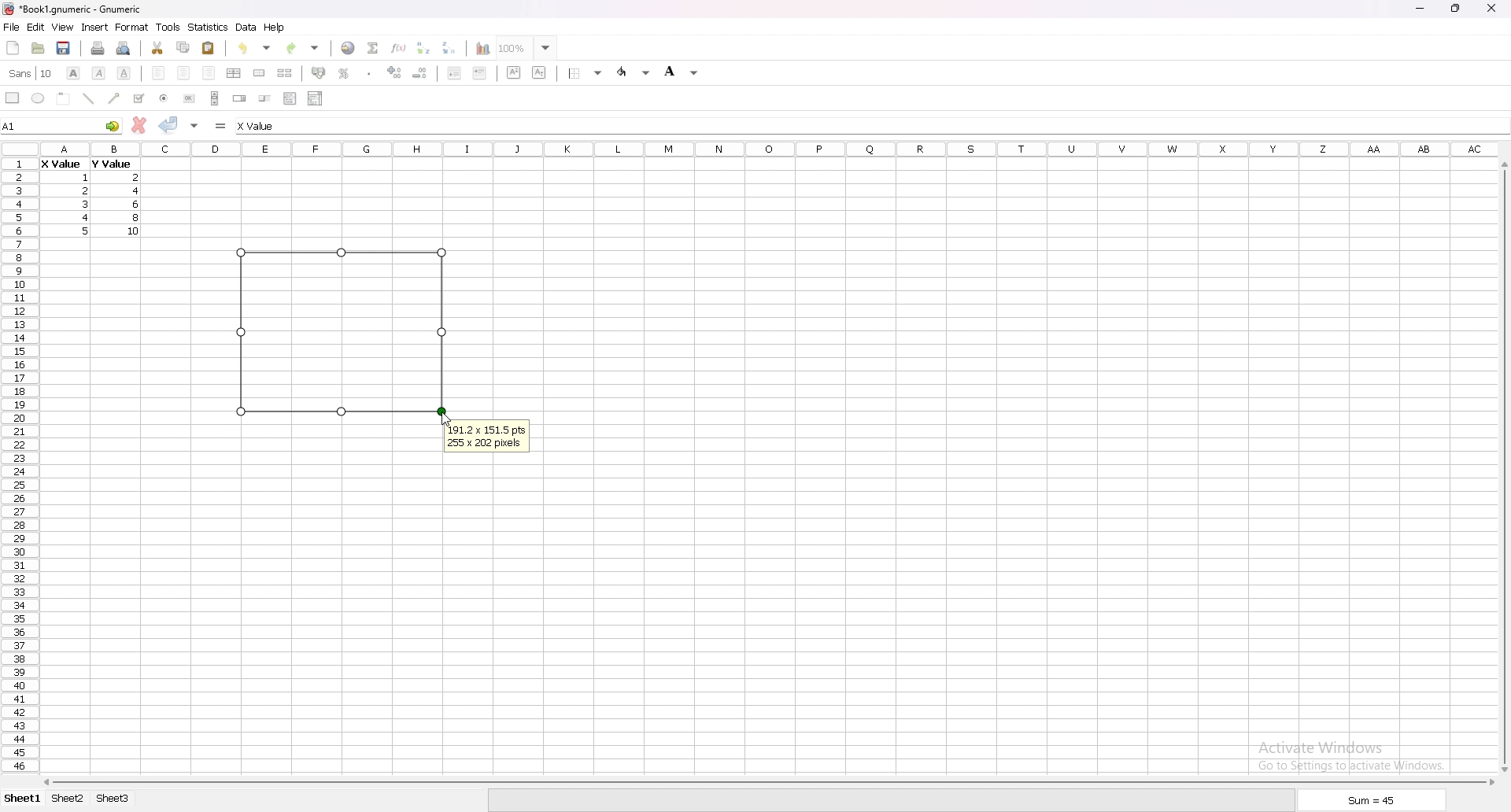 This screenshot has width=1511, height=812. What do you see at coordinates (275, 27) in the screenshot?
I see `help` at bounding box center [275, 27].